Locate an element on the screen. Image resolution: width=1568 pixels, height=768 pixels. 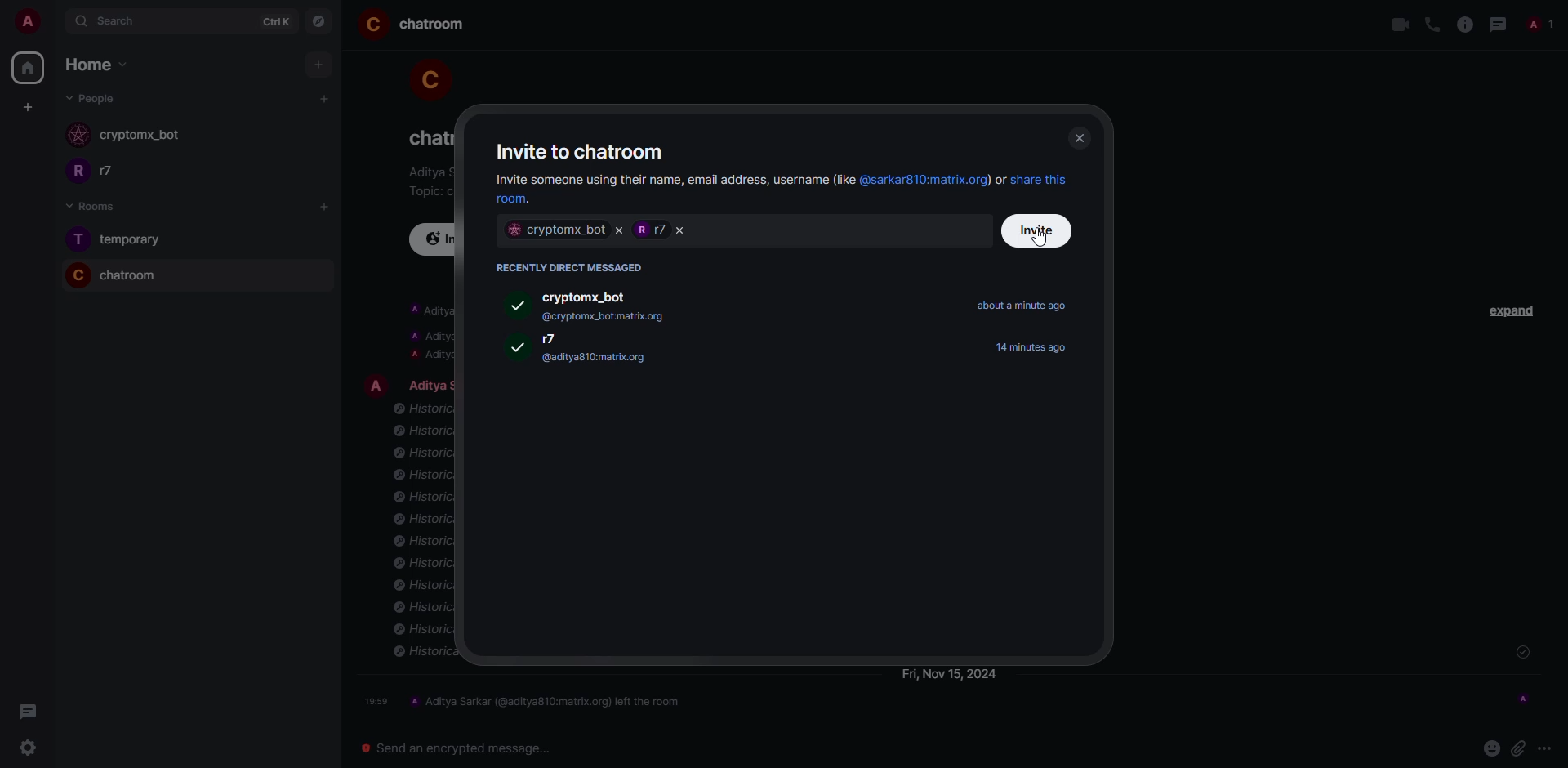
day is located at coordinates (951, 675).